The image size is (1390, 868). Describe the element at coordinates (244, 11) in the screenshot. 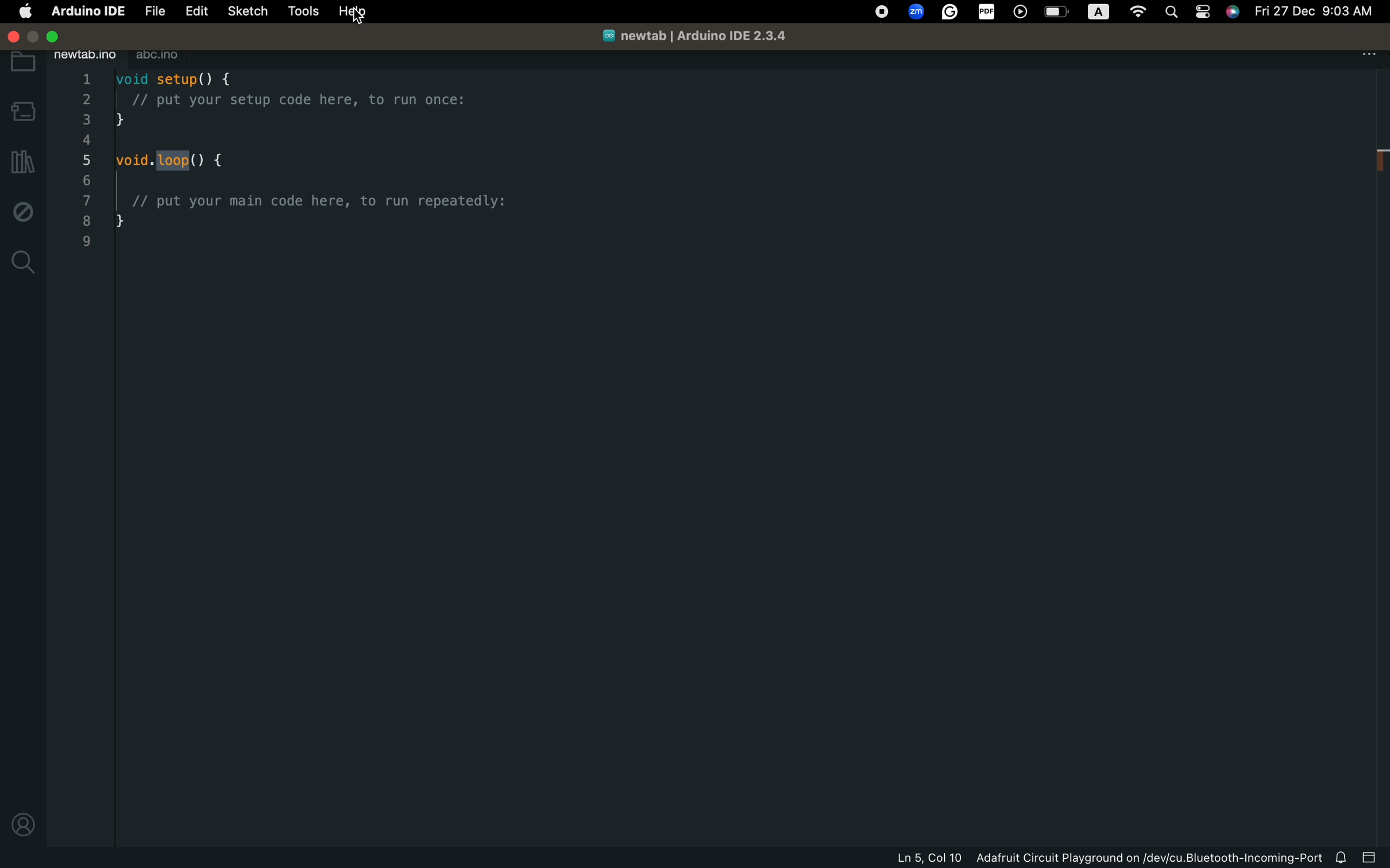

I see `sketch` at that location.